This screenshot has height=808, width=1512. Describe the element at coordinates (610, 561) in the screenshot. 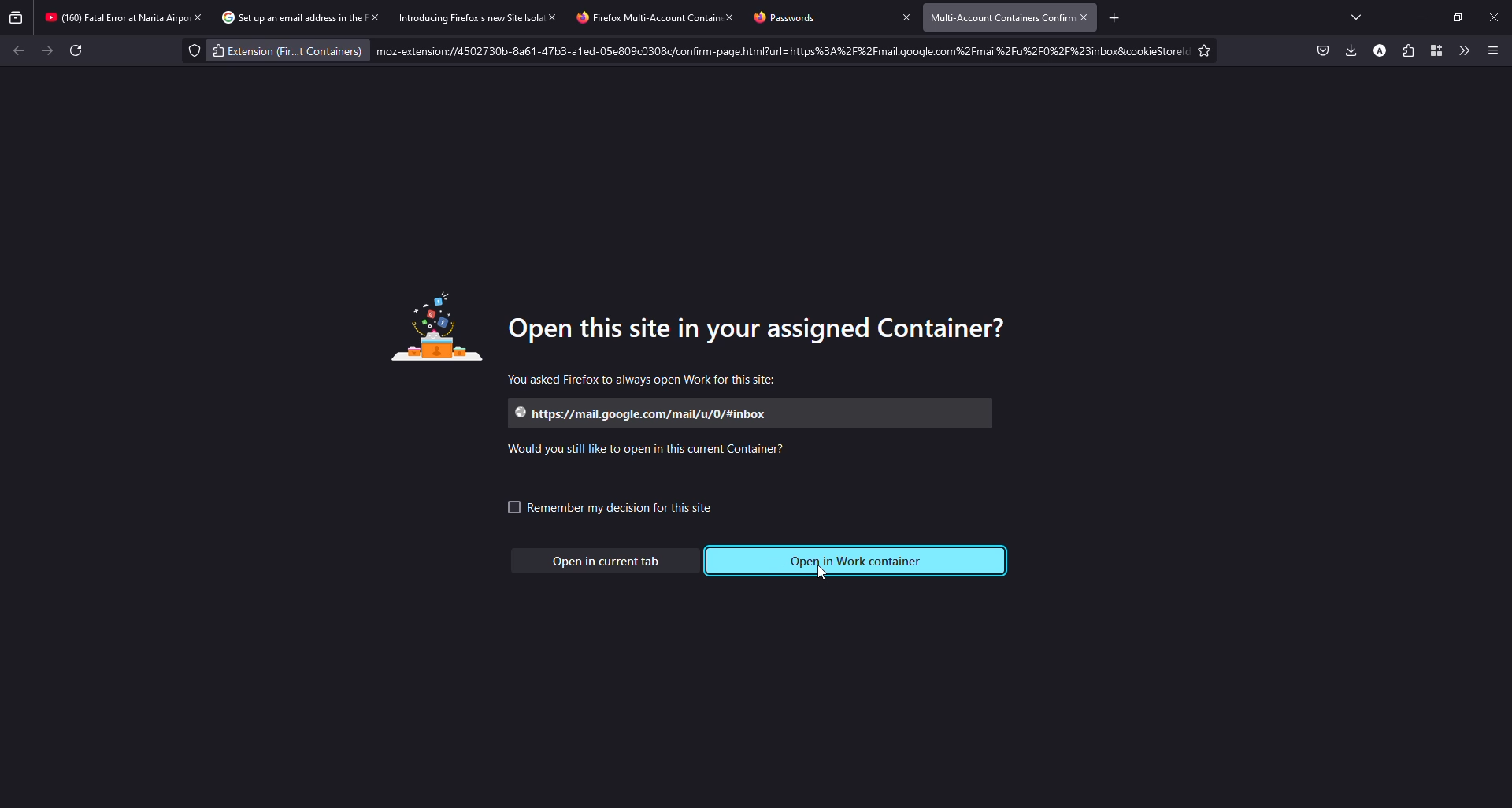

I see `open in current tab` at that location.